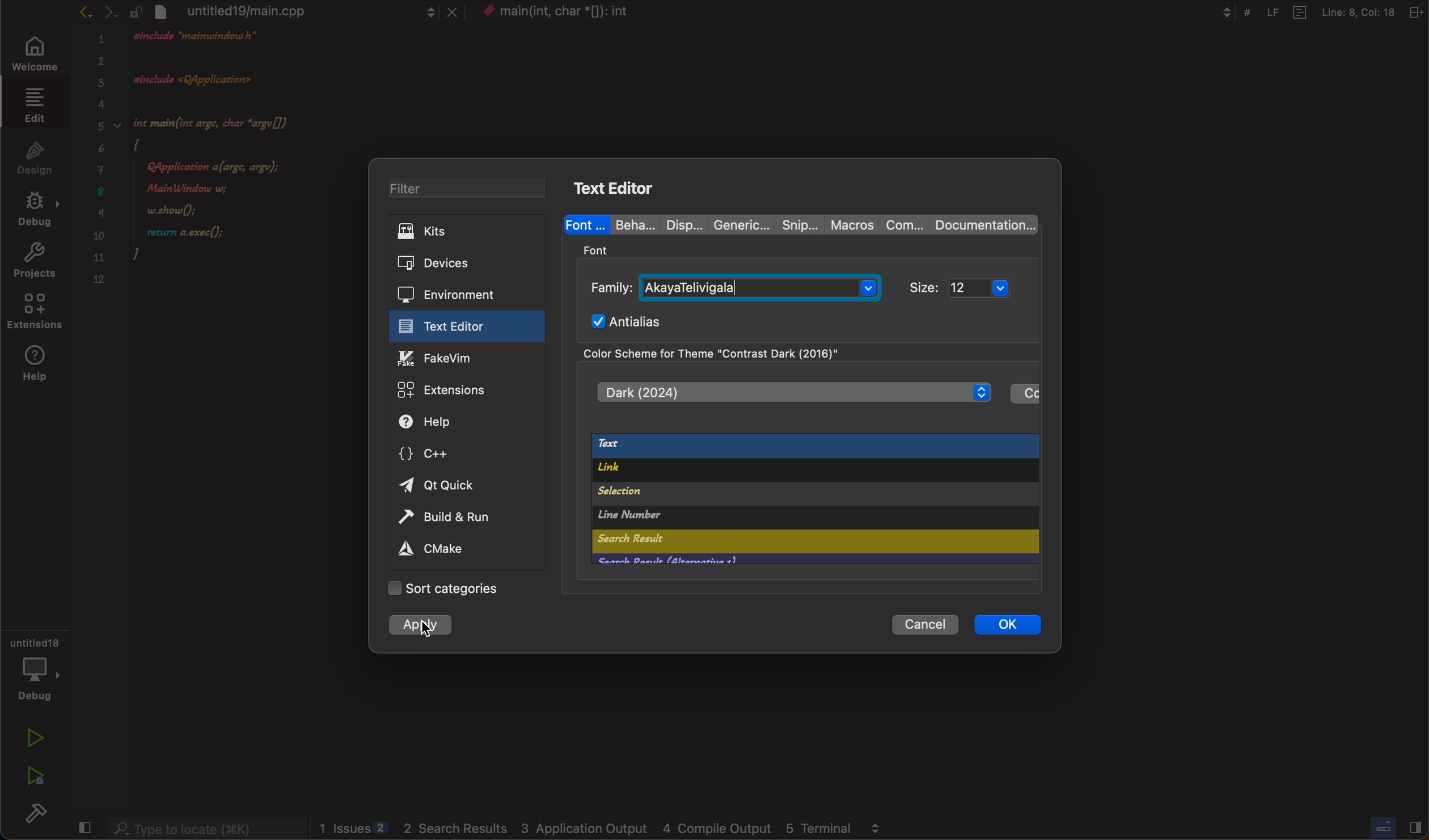 The height and width of the screenshot is (840, 1429). What do you see at coordinates (462, 358) in the screenshot?
I see `fakevim` at bounding box center [462, 358].